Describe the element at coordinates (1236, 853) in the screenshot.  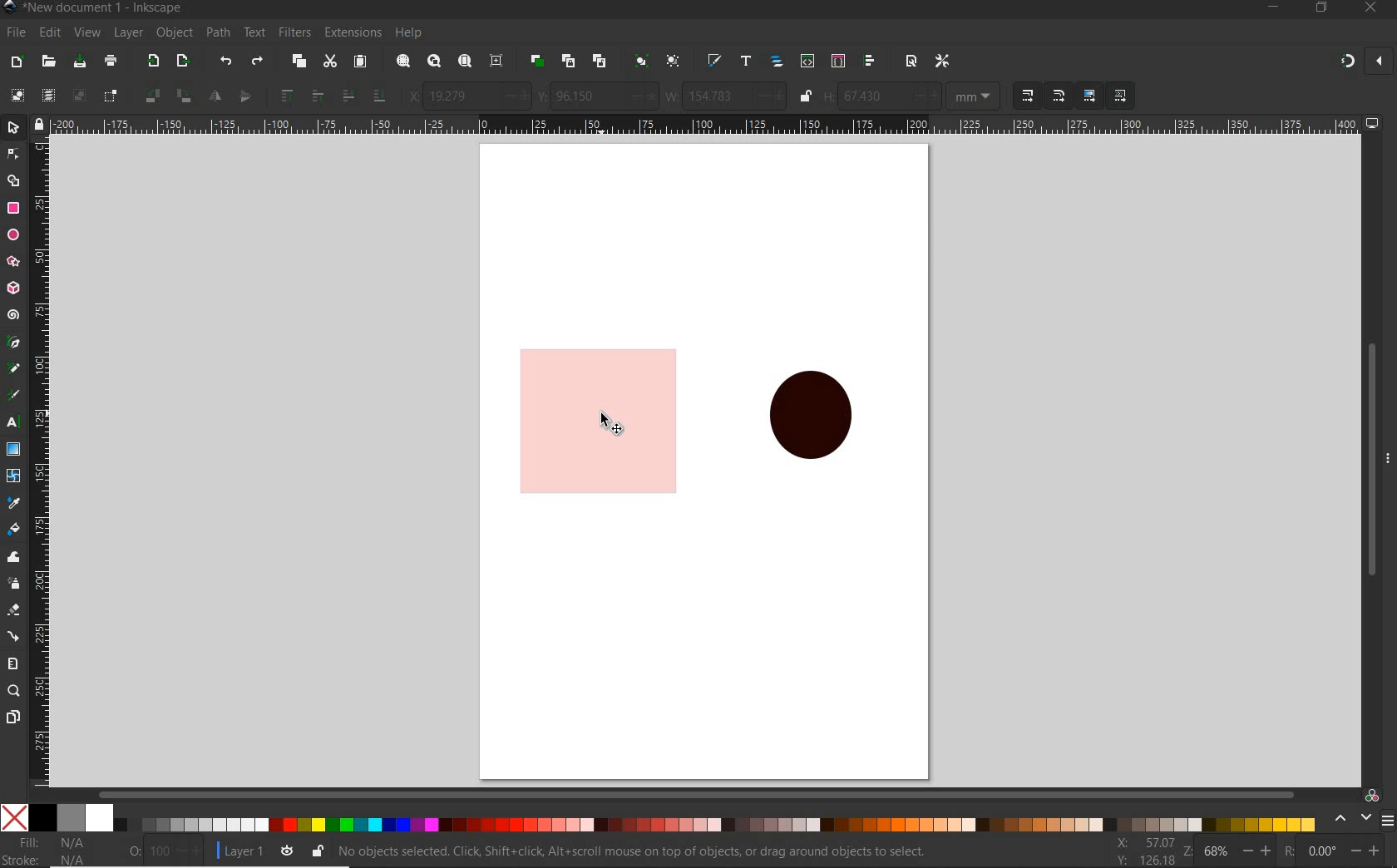
I see `zoom` at that location.